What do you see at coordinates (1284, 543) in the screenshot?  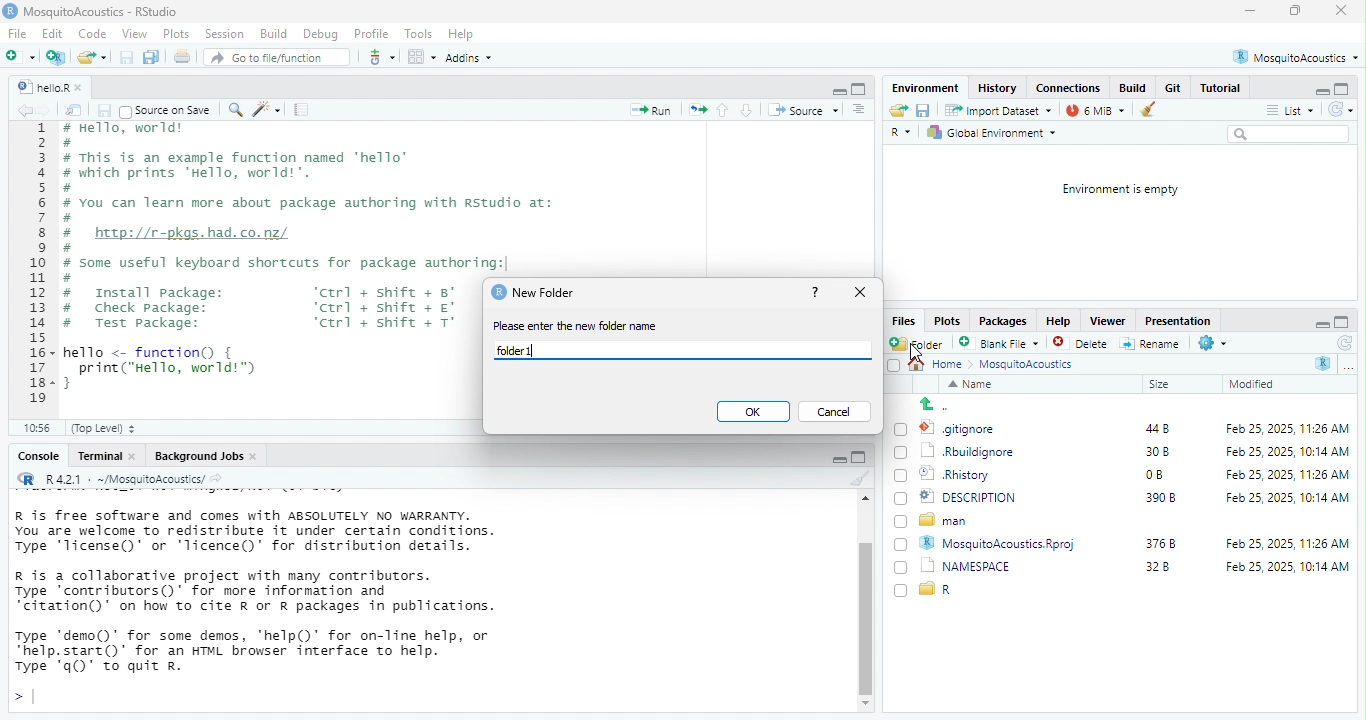 I see `Feb 25, 2025, 11:26 AM` at bounding box center [1284, 543].